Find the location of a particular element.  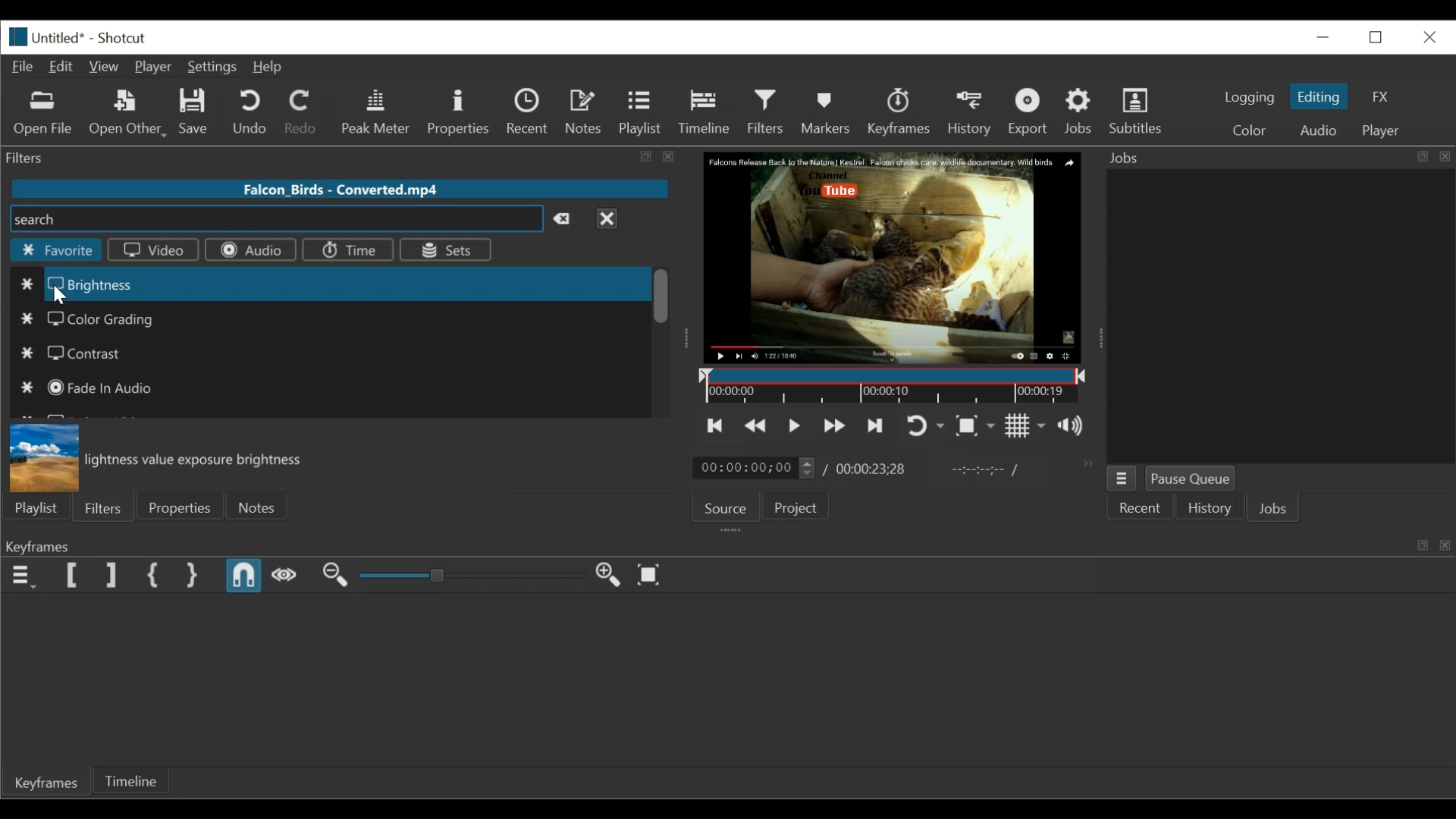

Peak Meter is located at coordinates (376, 113).